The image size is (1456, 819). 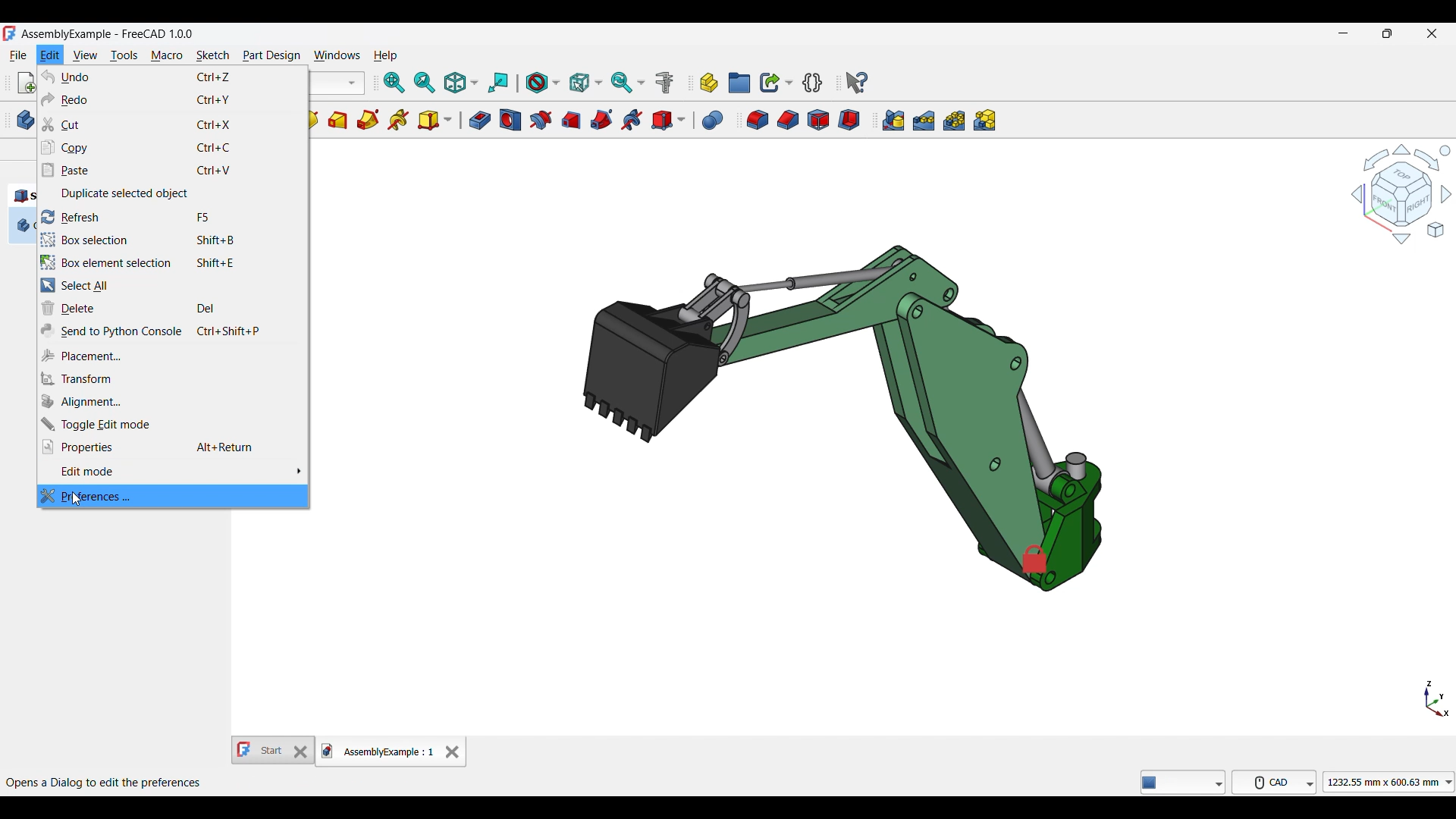 I want to click on Refresh, so click(x=173, y=217).